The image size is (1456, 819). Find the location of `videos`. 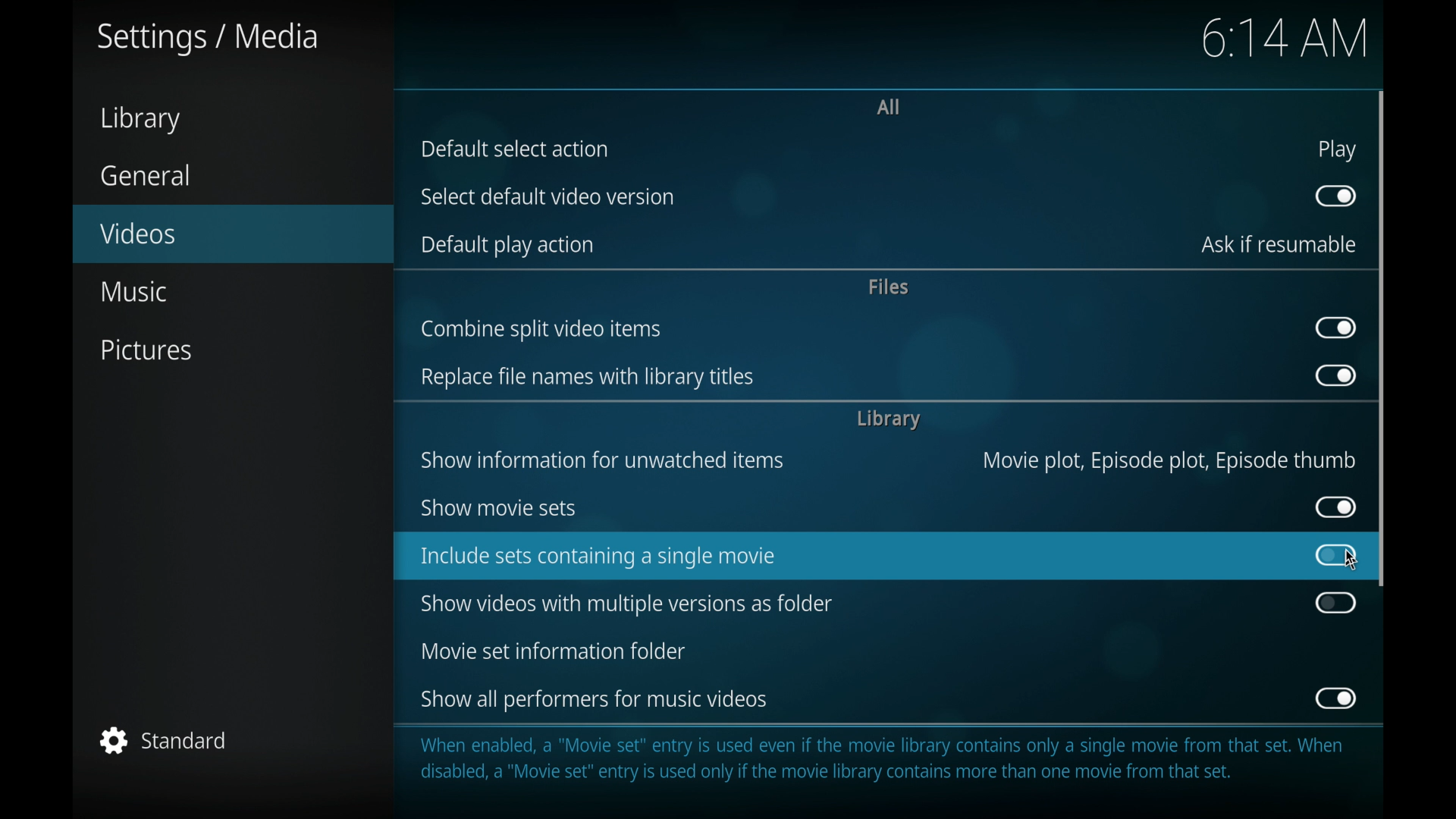

videos is located at coordinates (235, 234).